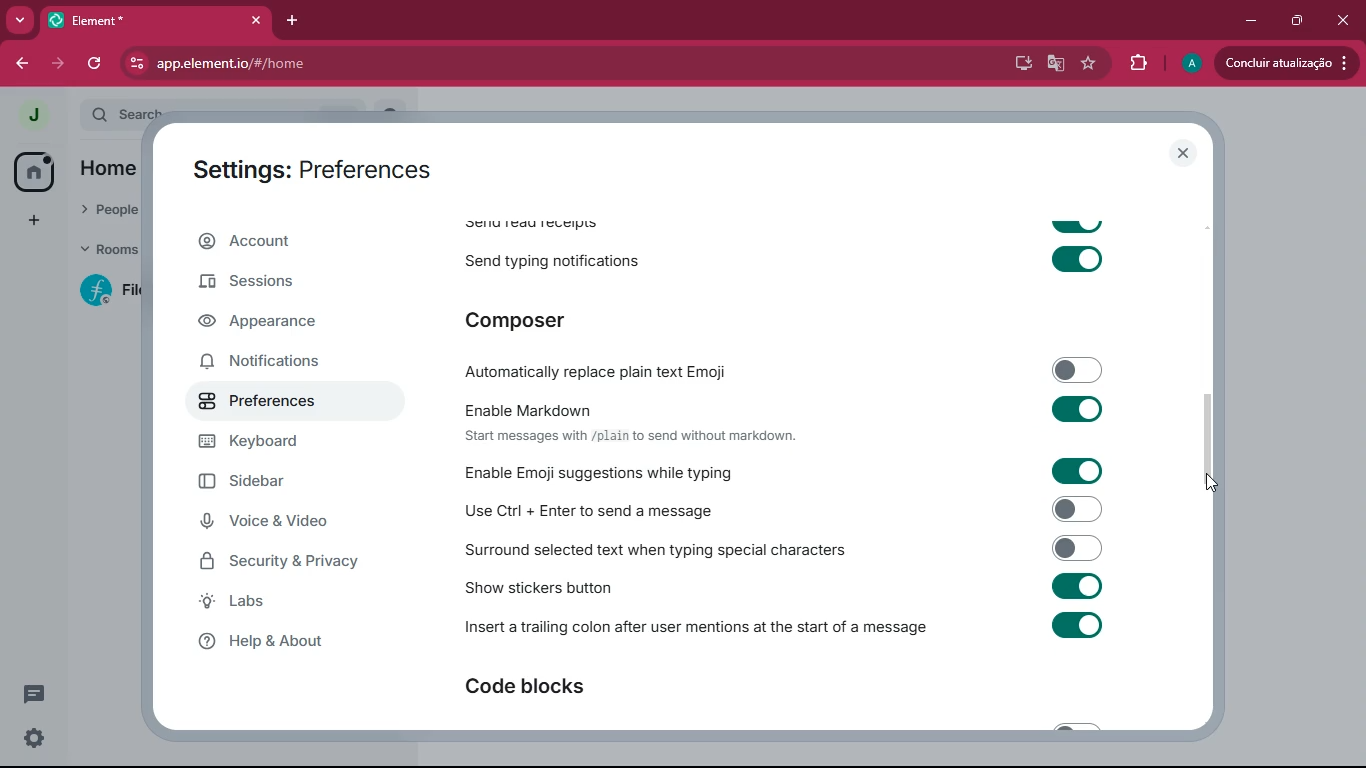  What do you see at coordinates (300, 64) in the screenshot?
I see `url` at bounding box center [300, 64].